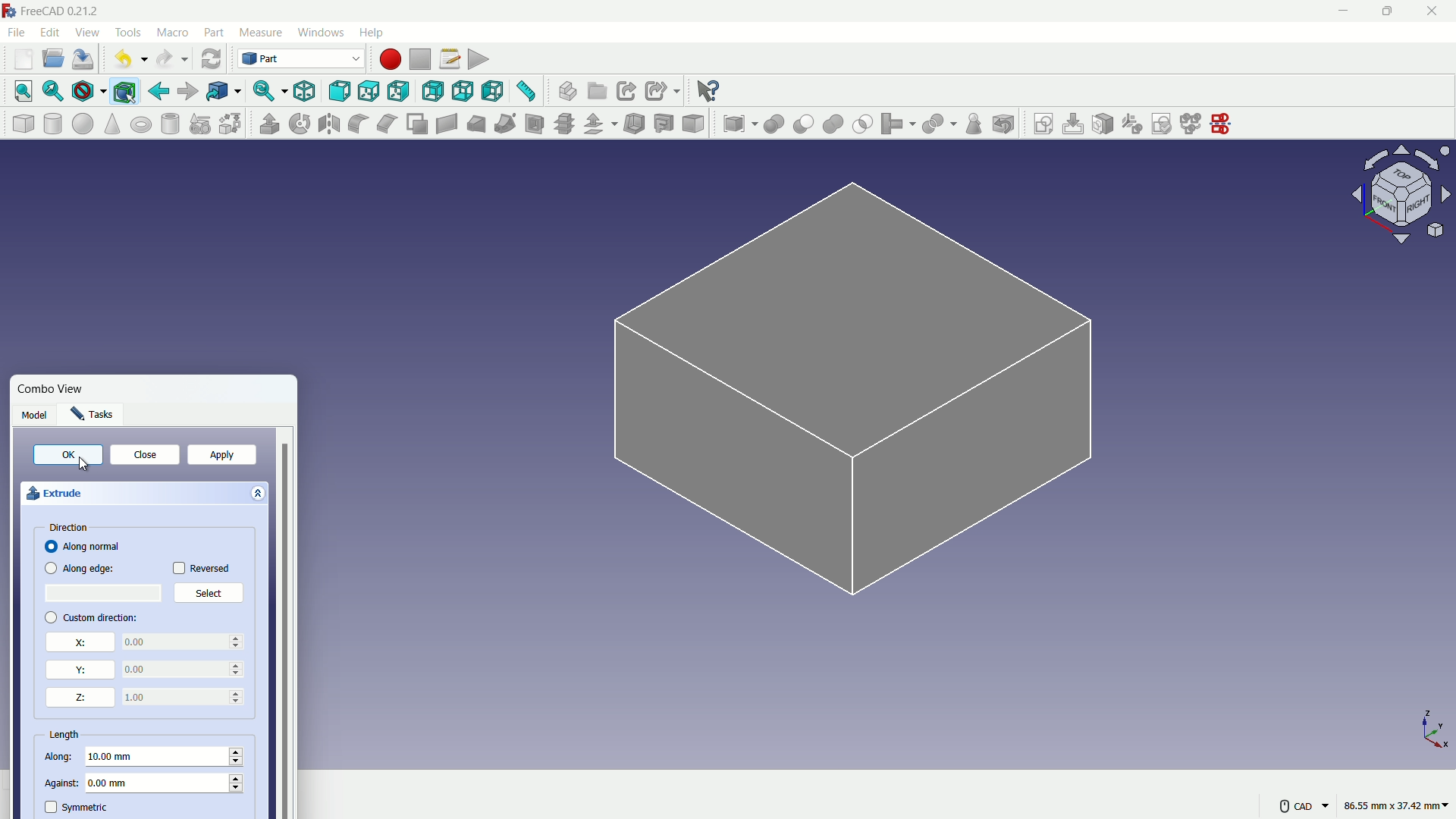  I want to click on checkbox, so click(49, 568).